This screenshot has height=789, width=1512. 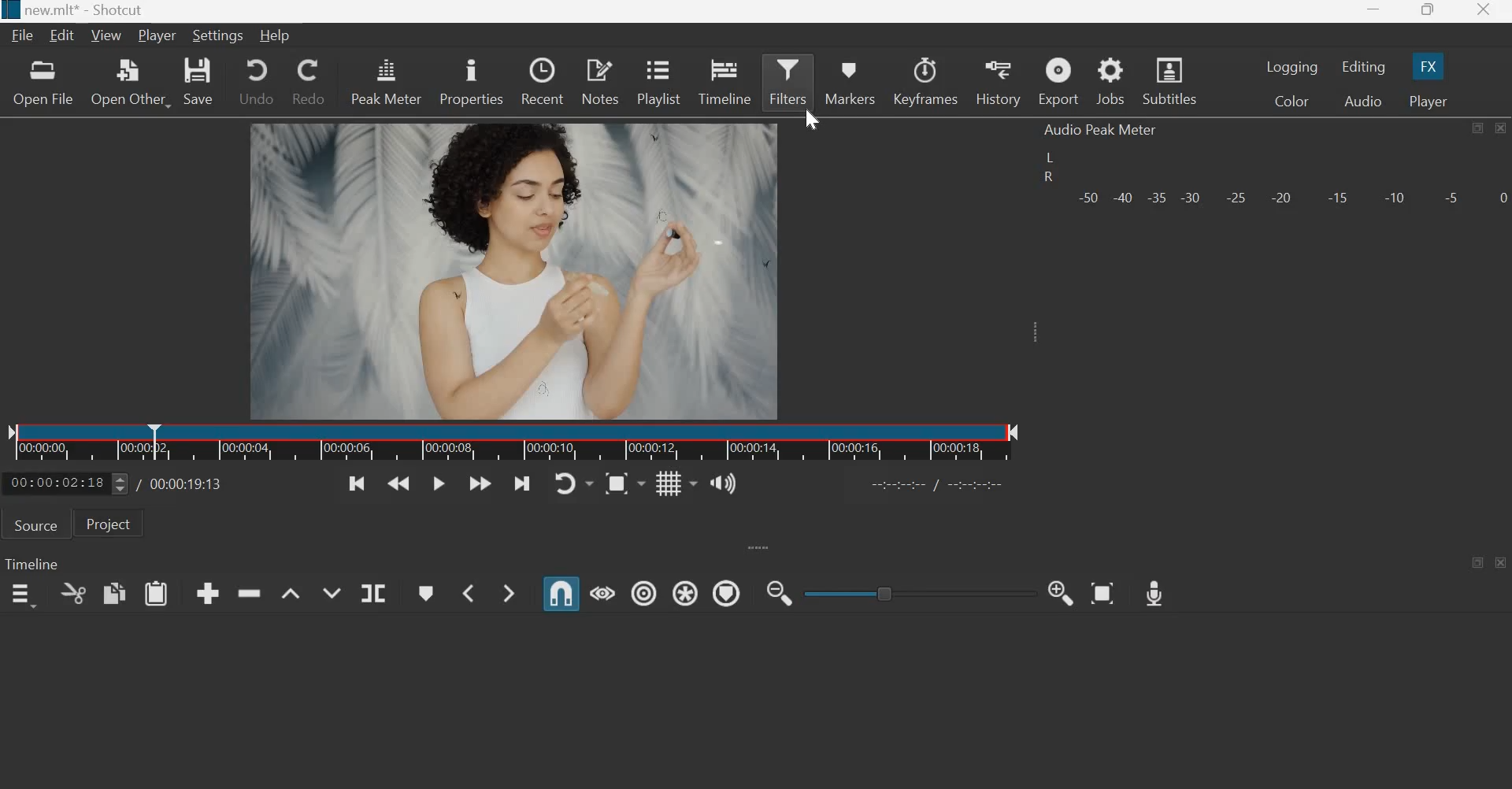 I want to click on maximize, so click(x=1478, y=128).